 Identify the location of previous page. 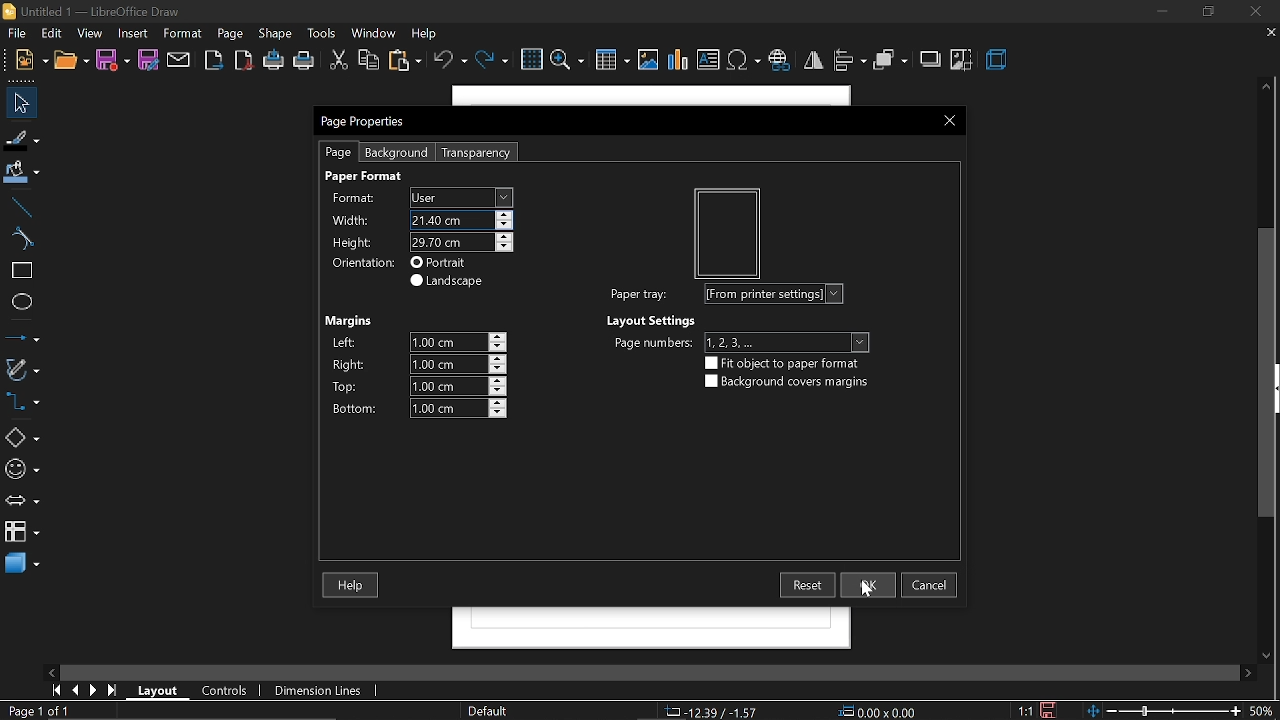
(77, 691).